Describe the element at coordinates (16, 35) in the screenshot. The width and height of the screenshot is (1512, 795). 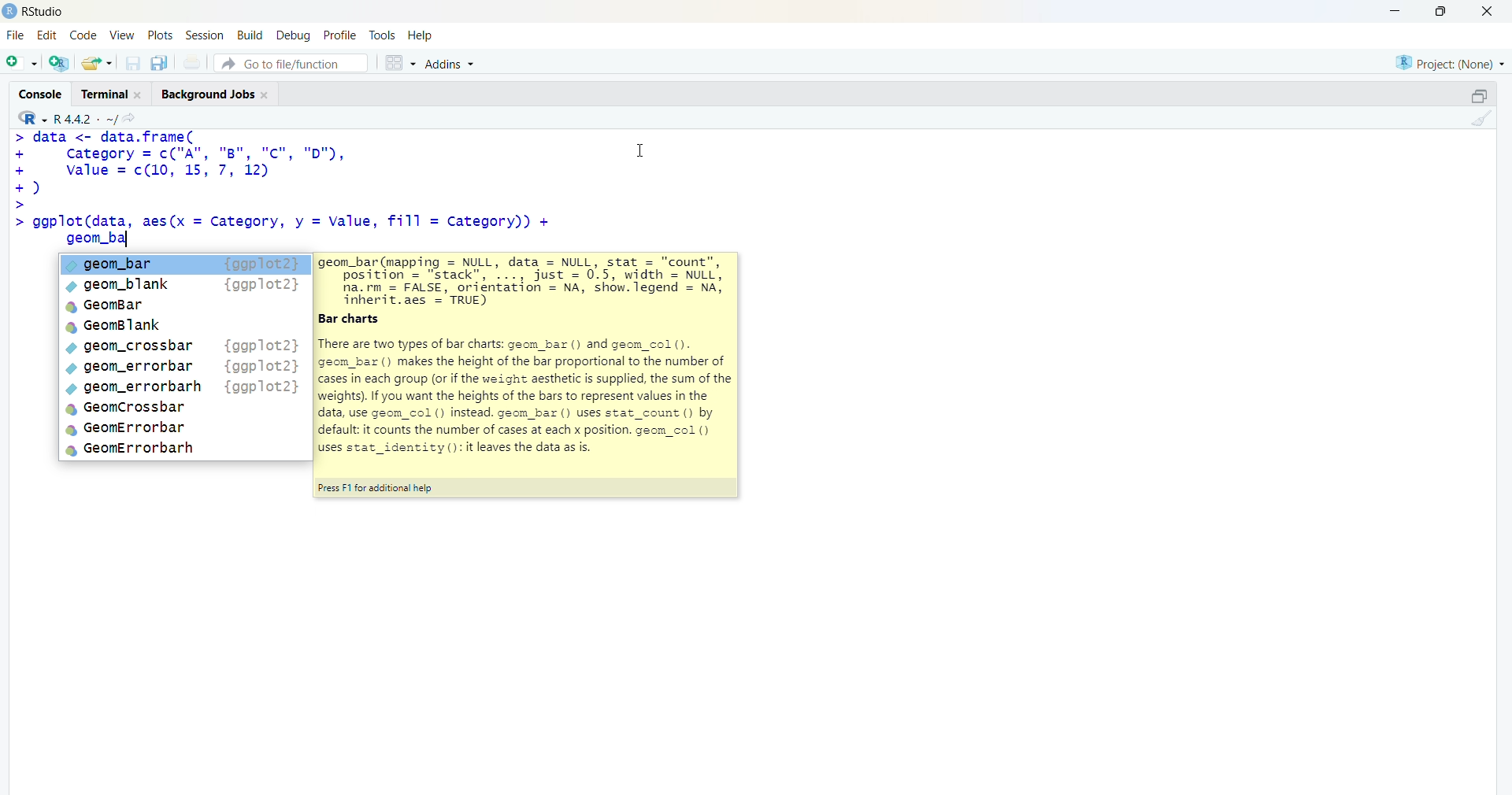
I see `File` at that location.